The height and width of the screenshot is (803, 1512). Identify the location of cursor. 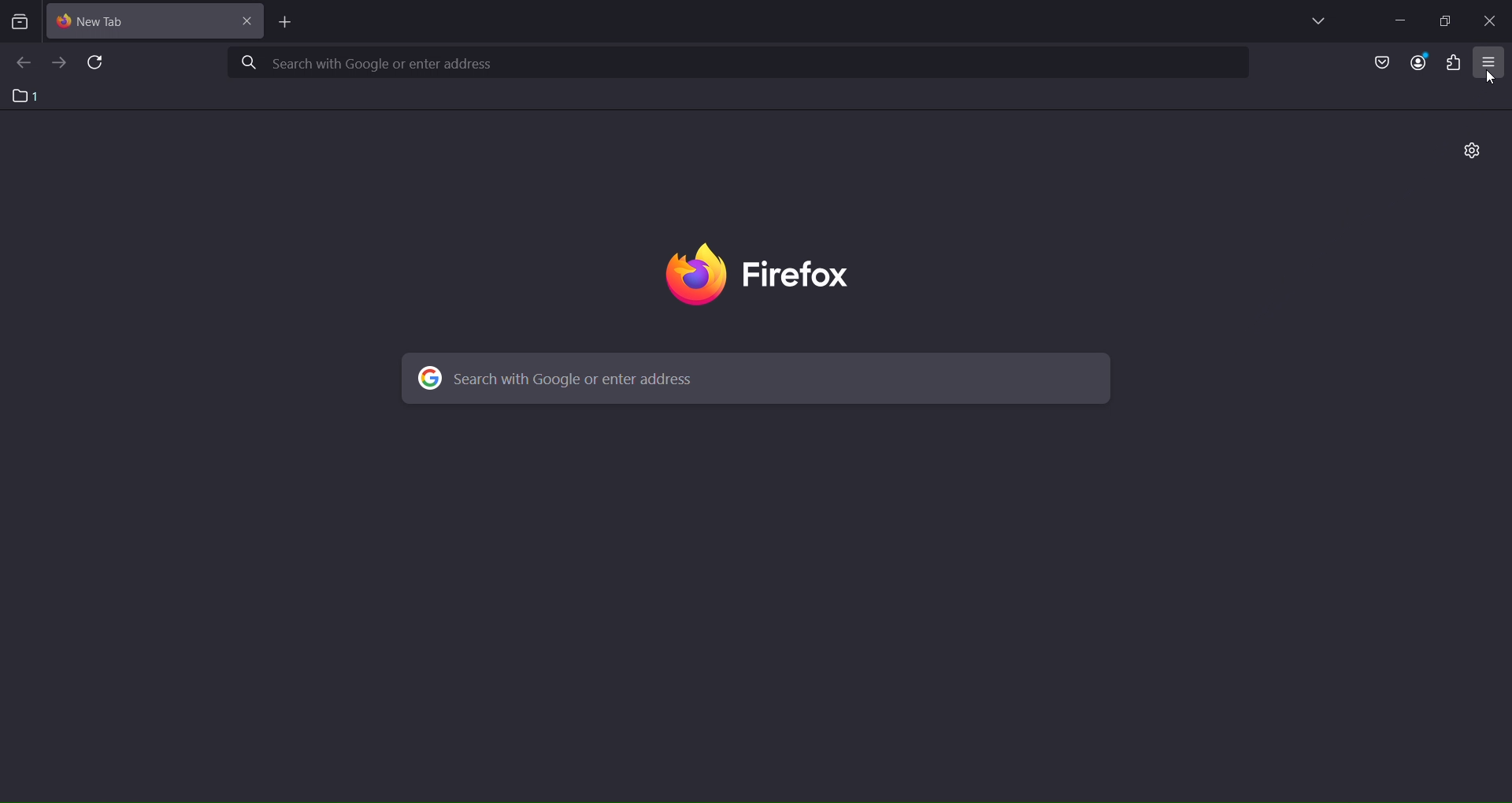
(1490, 76).